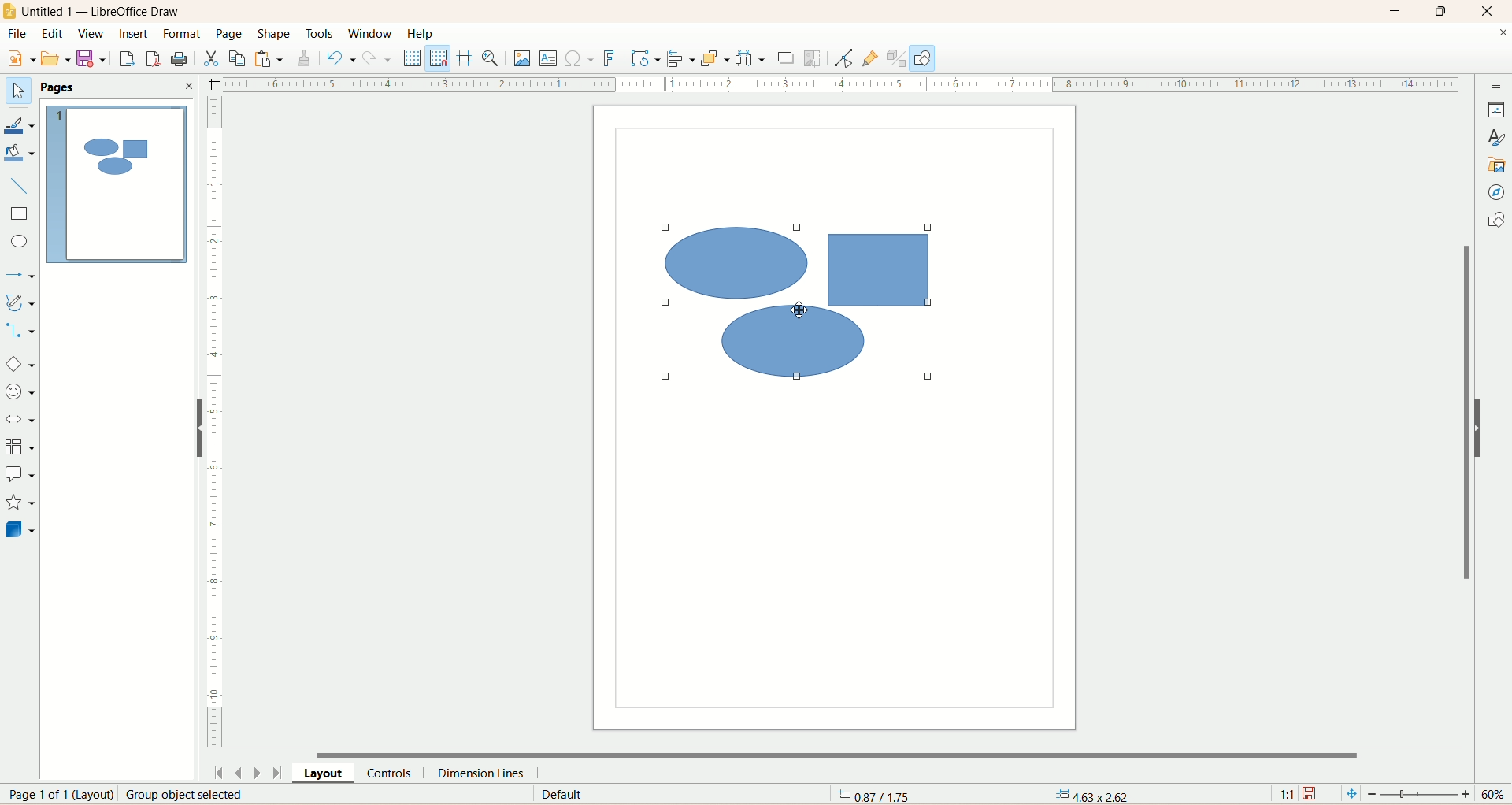 The height and width of the screenshot is (805, 1512). What do you see at coordinates (306, 58) in the screenshot?
I see `clone formatting` at bounding box center [306, 58].